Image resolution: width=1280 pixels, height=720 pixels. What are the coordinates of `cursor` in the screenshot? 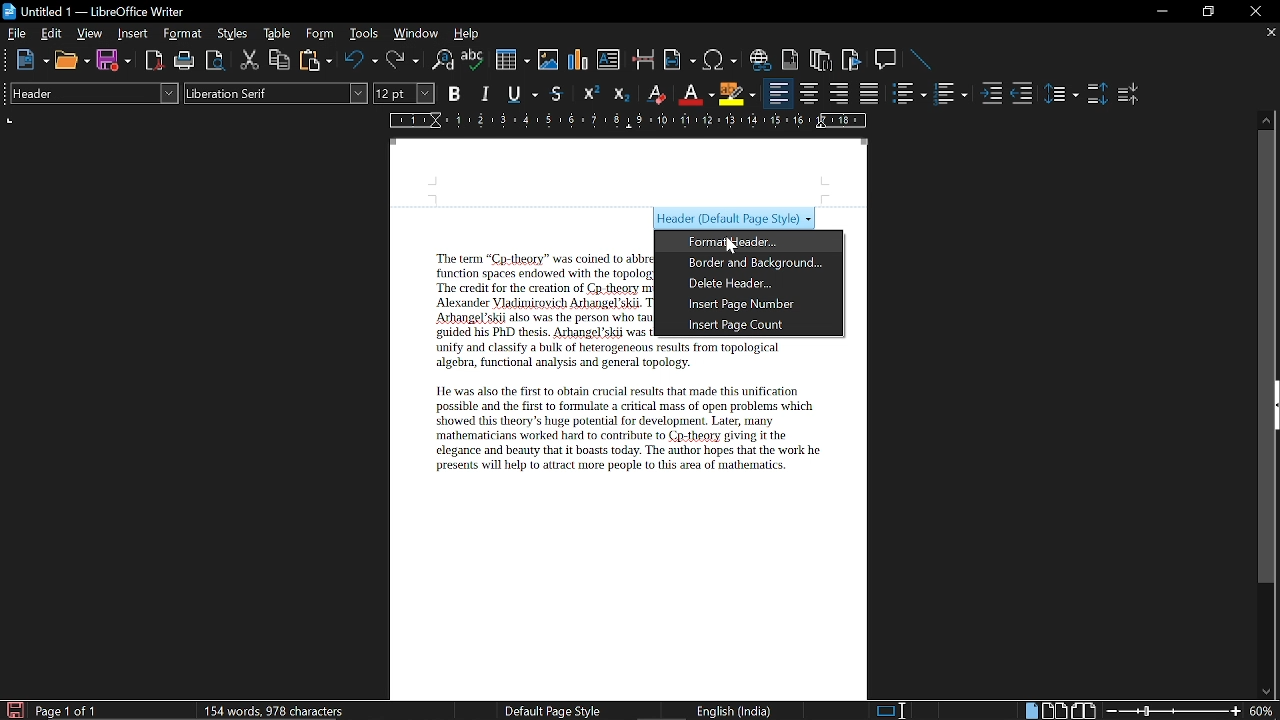 It's located at (731, 247).